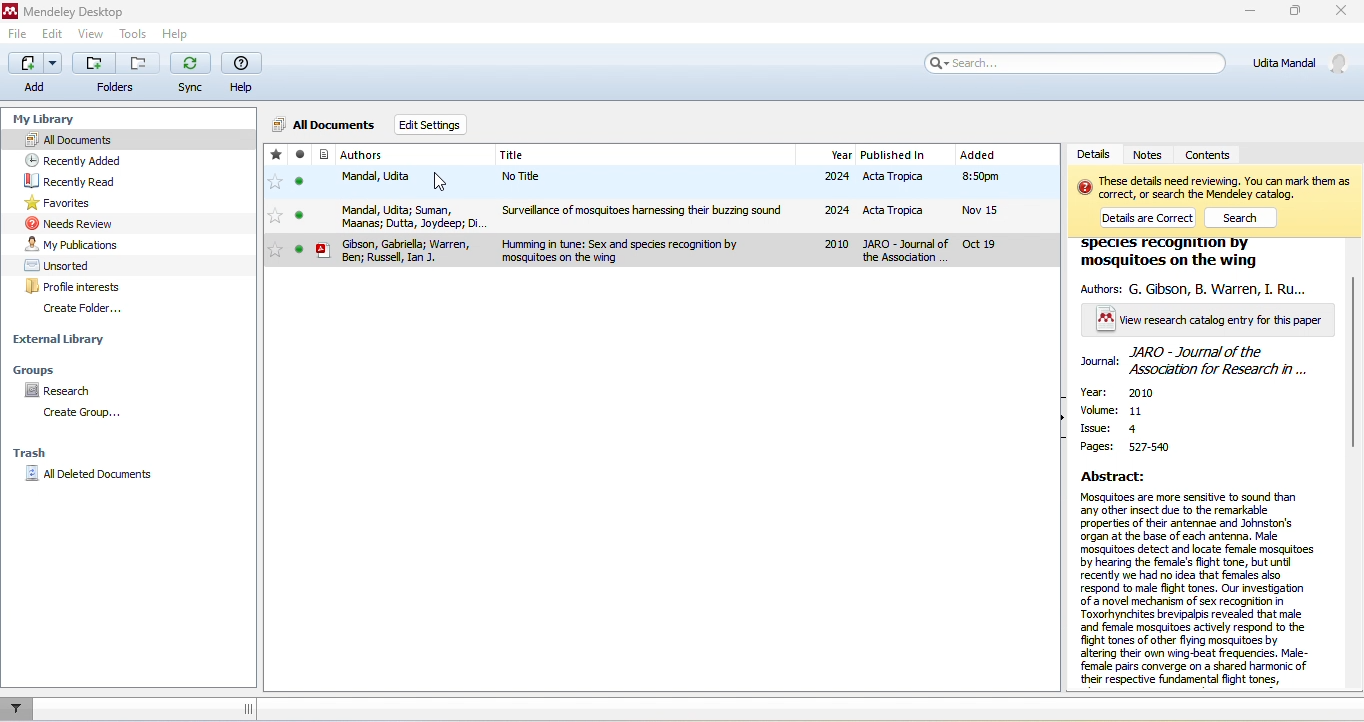 The width and height of the screenshot is (1364, 722). What do you see at coordinates (1303, 61) in the screenshot?
I see `udita ` at bounding box center [1303, 61].